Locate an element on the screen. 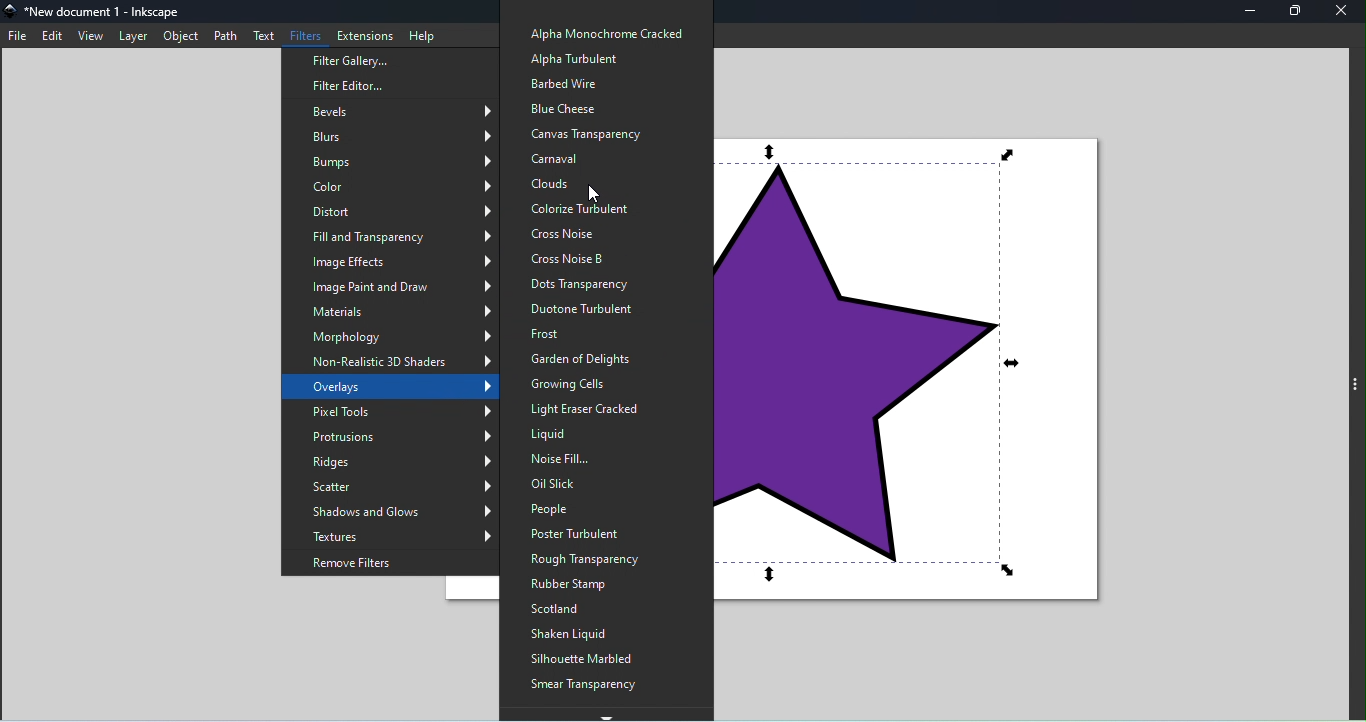 Image resolution: width=1366 pixels, height=722 pixels. People  is located at coordinates (582, 509).